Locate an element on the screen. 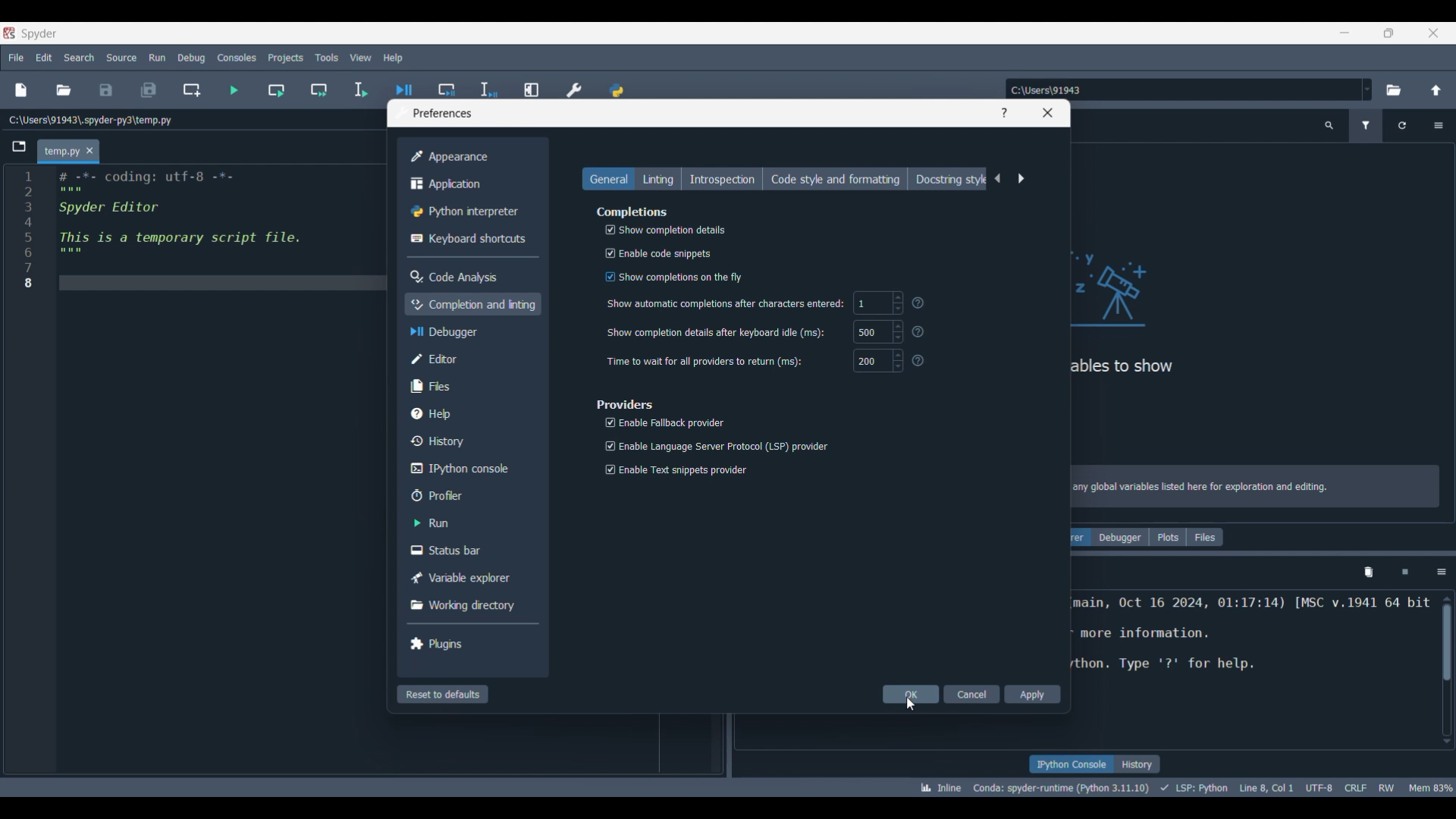  Remove variables from namespace is located at coordinates (1369, 573).